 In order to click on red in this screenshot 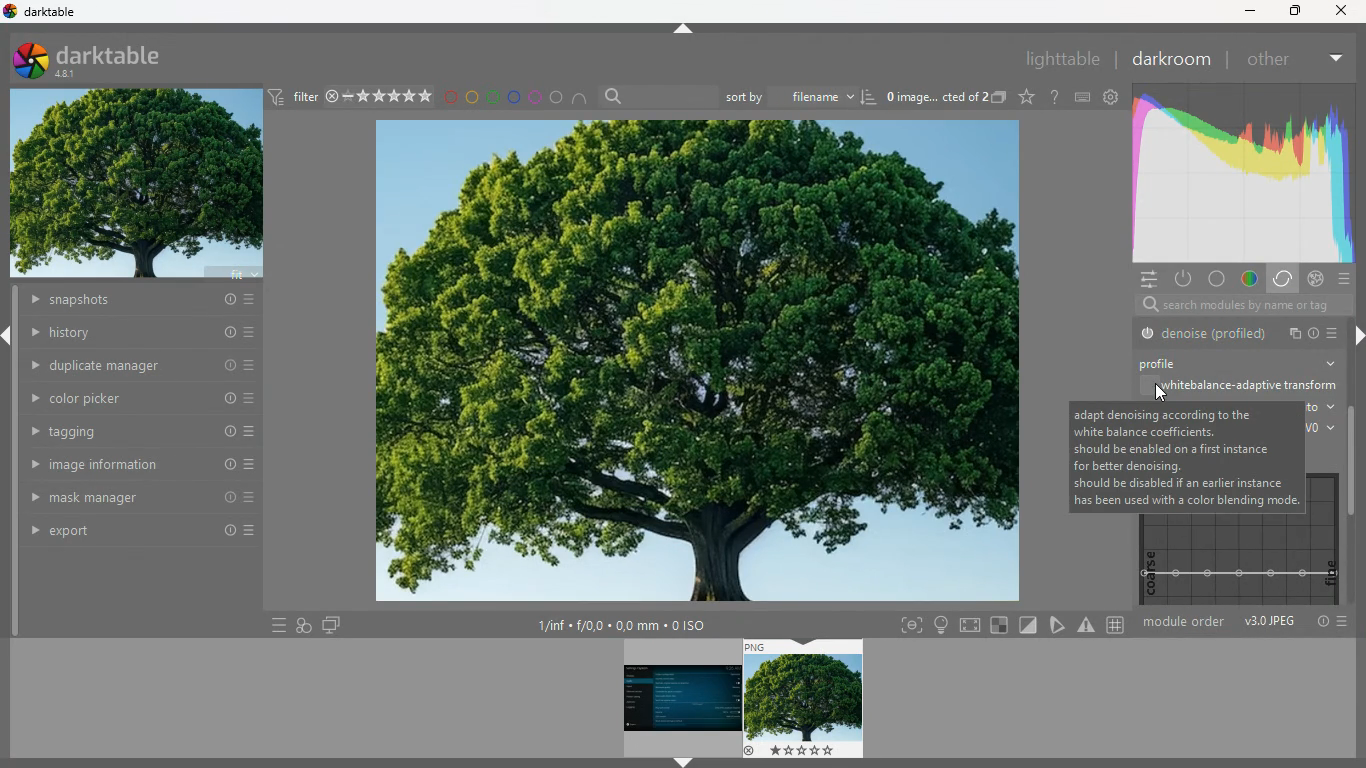, I will do `click(450, 98)`.